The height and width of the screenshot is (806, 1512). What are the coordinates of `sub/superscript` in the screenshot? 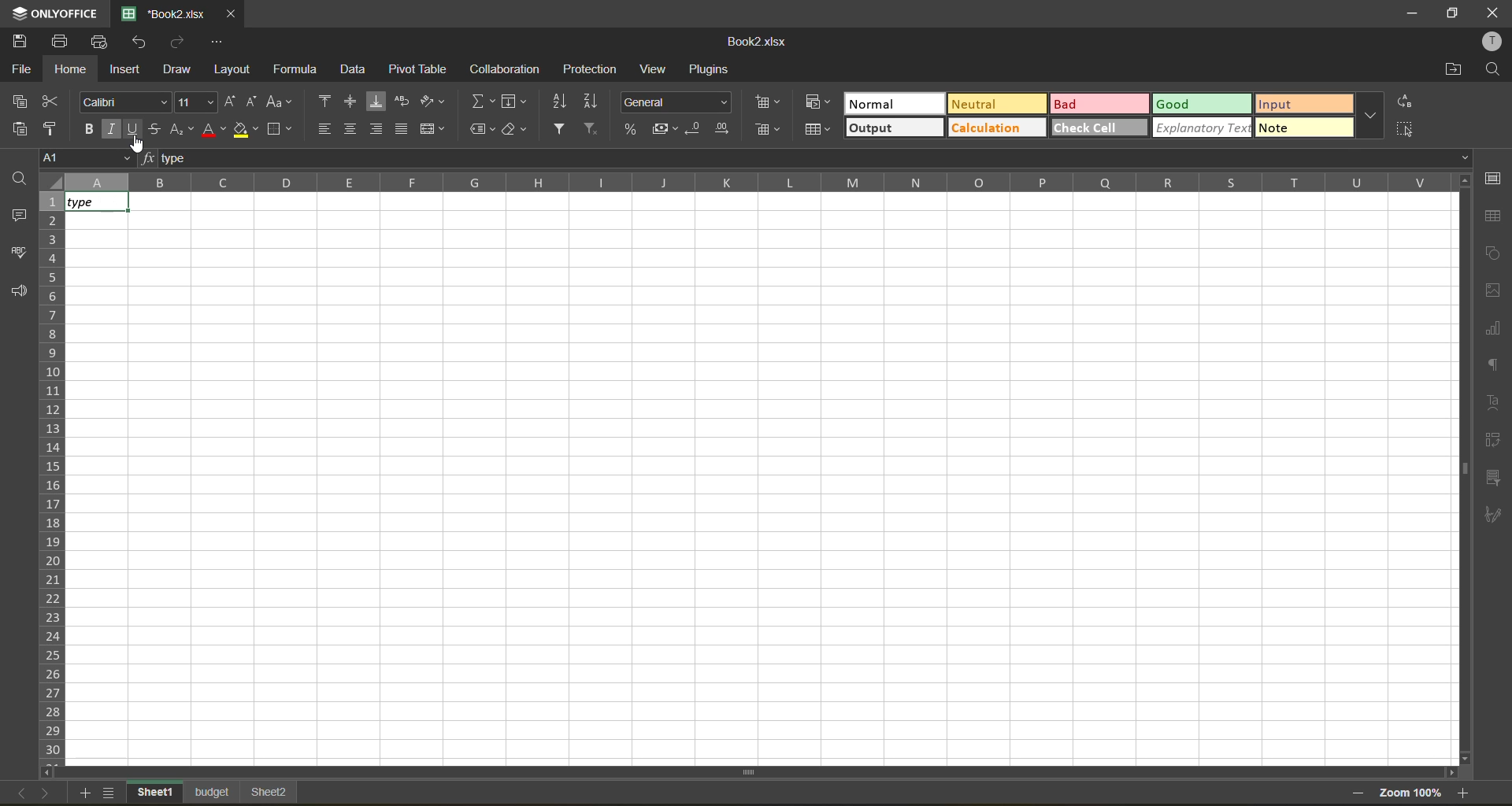 It's located at (183, 130).